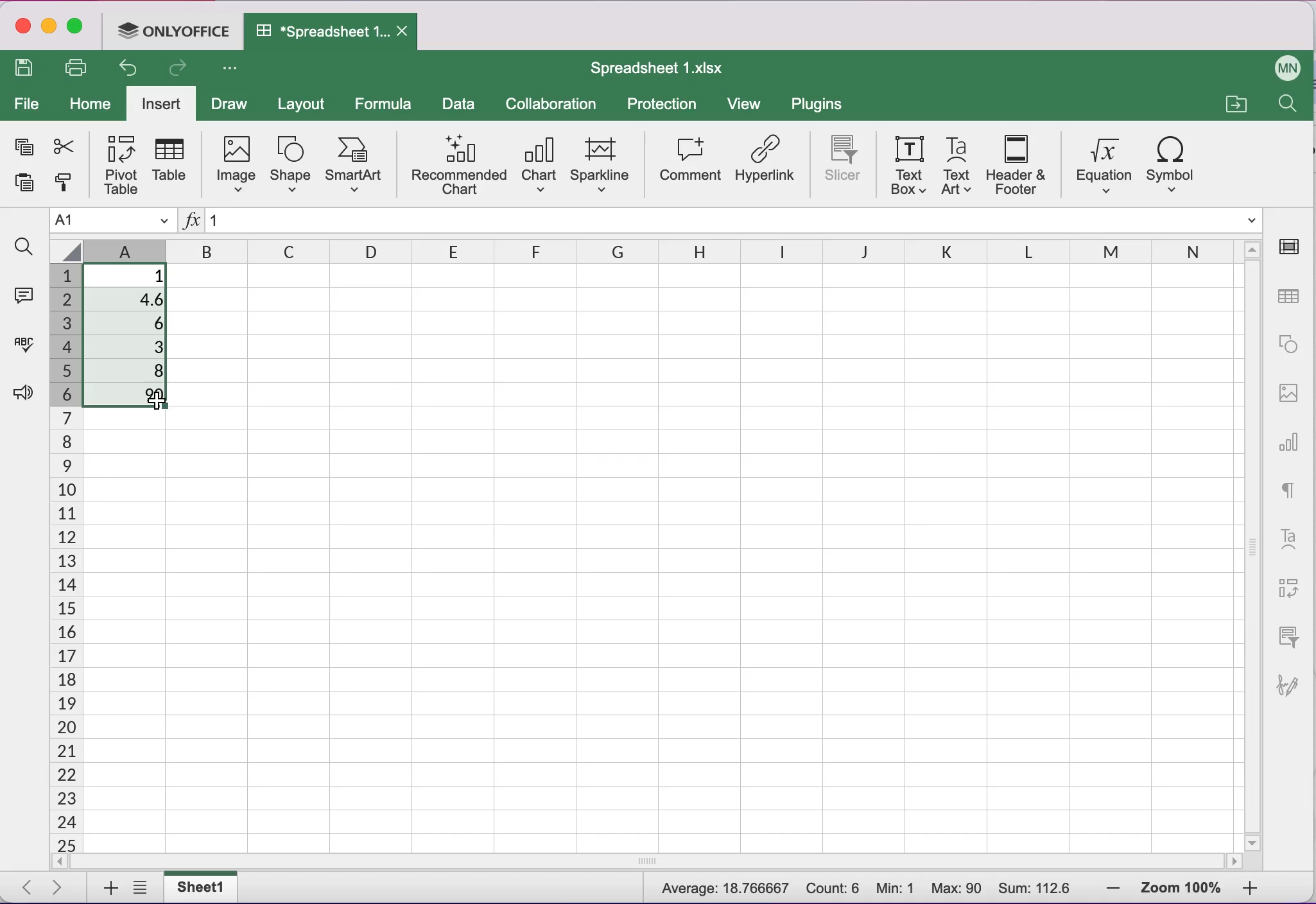 This screenshot has width=1316, height=904. I want to click on shape, so click(289, 168).